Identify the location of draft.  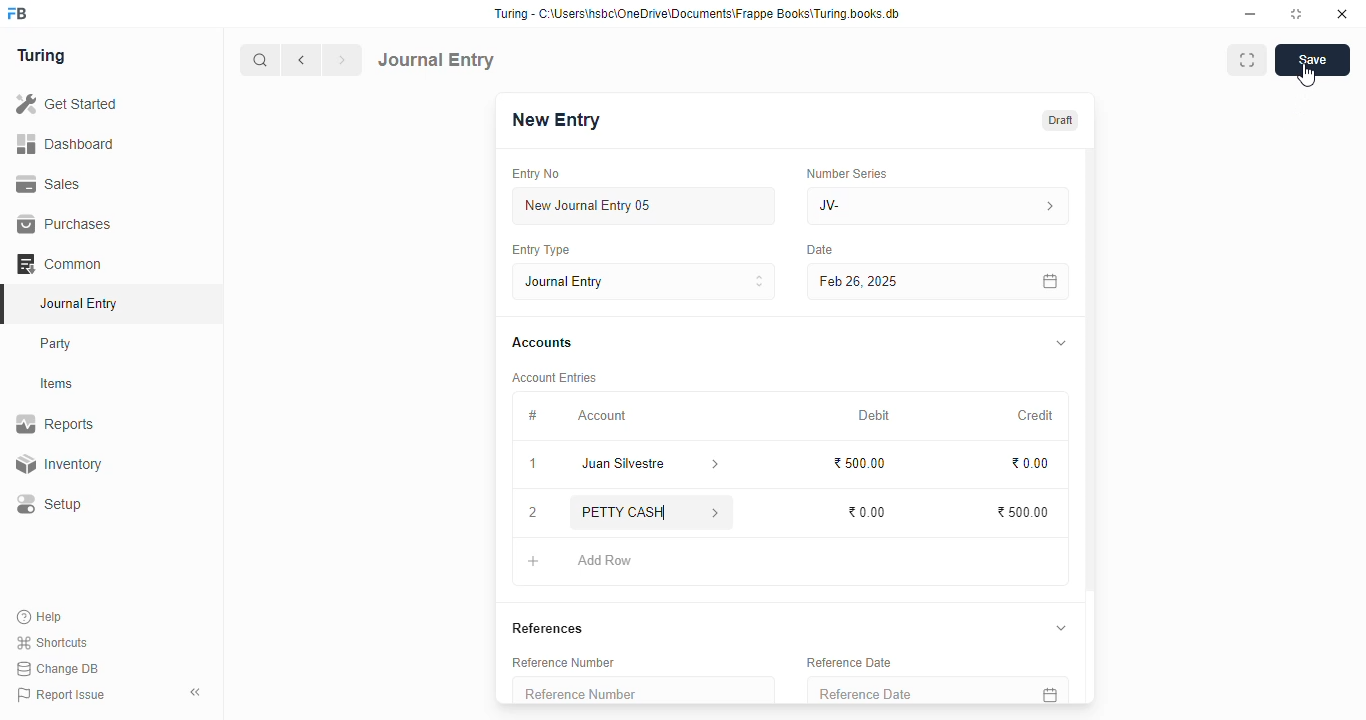
(1059, 120).